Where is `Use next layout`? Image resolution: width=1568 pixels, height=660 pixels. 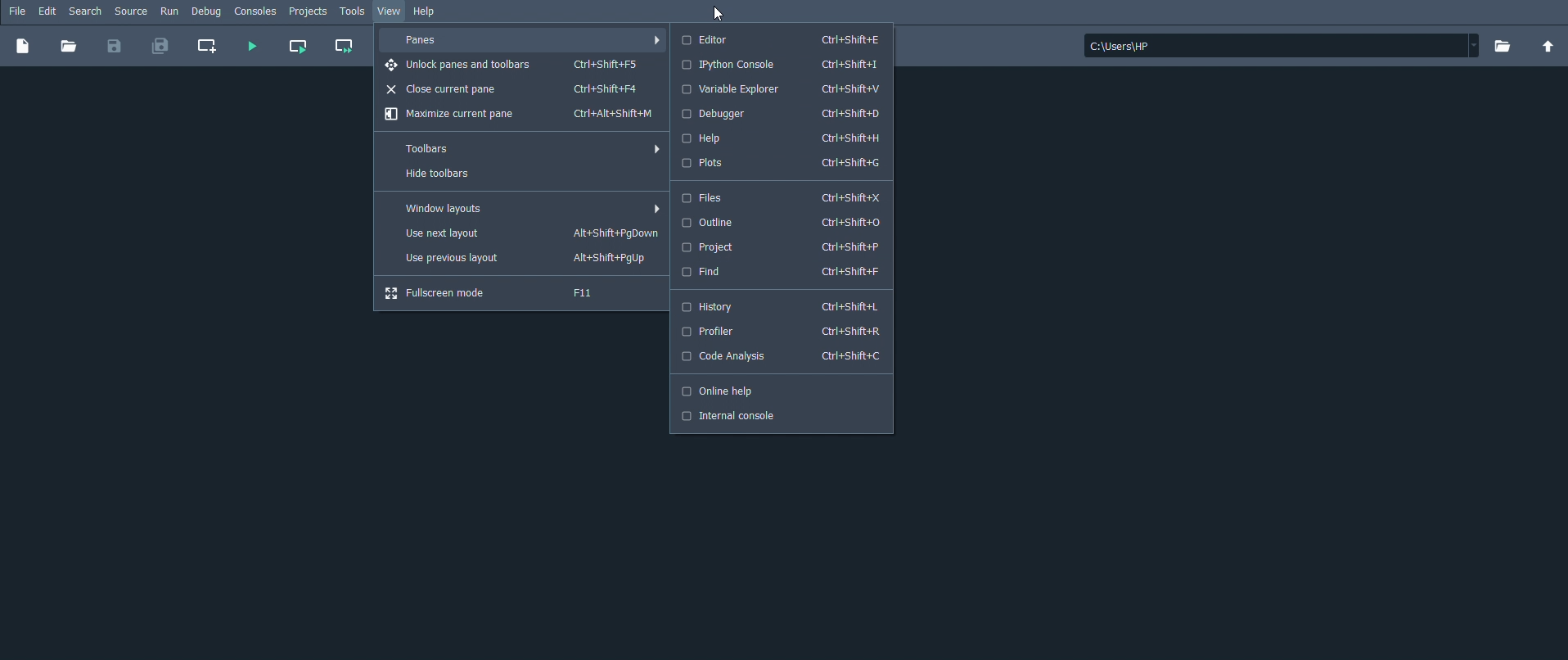
Use next layout is located at coordinates (522, 234).